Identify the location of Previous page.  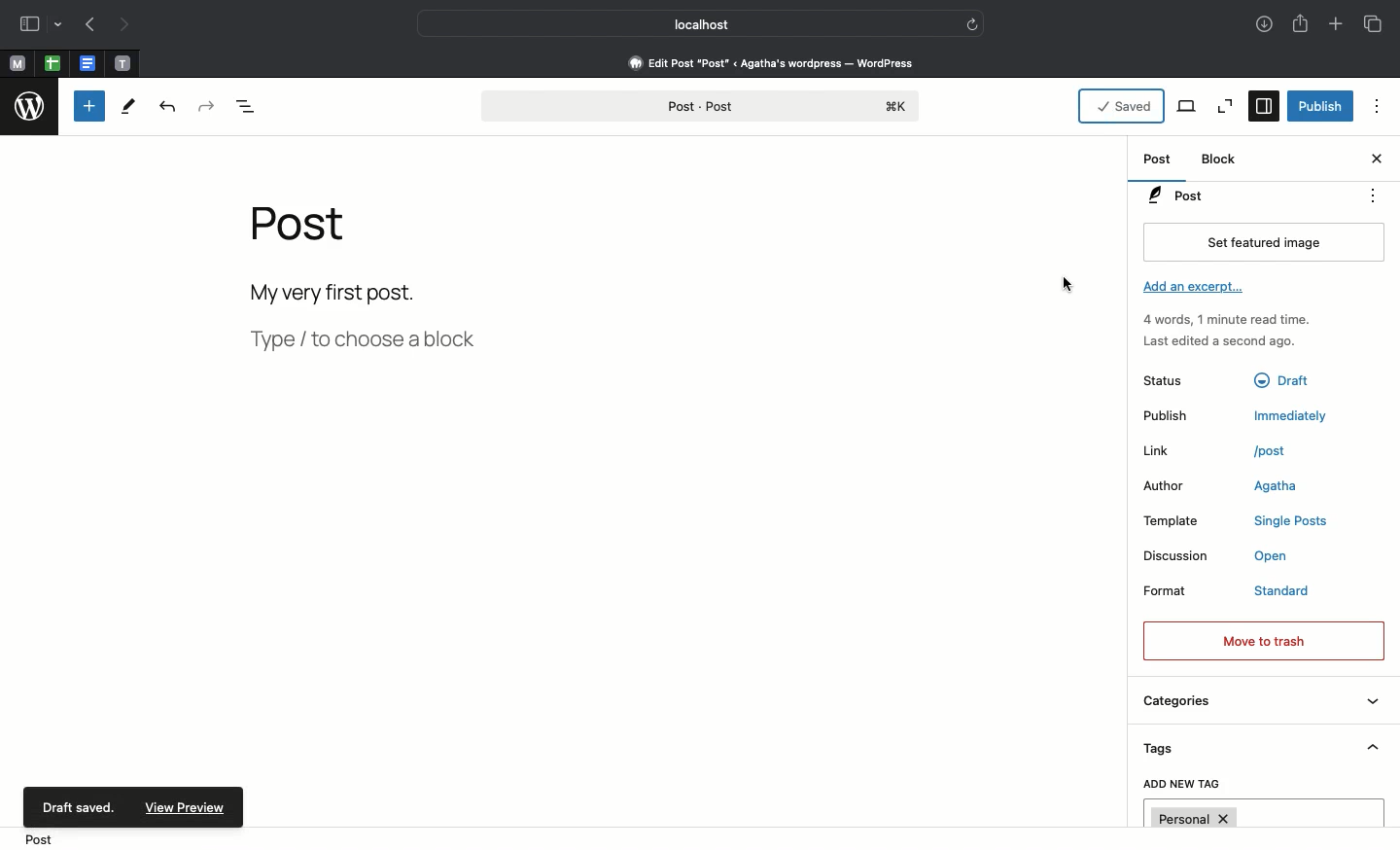
(87, 23).